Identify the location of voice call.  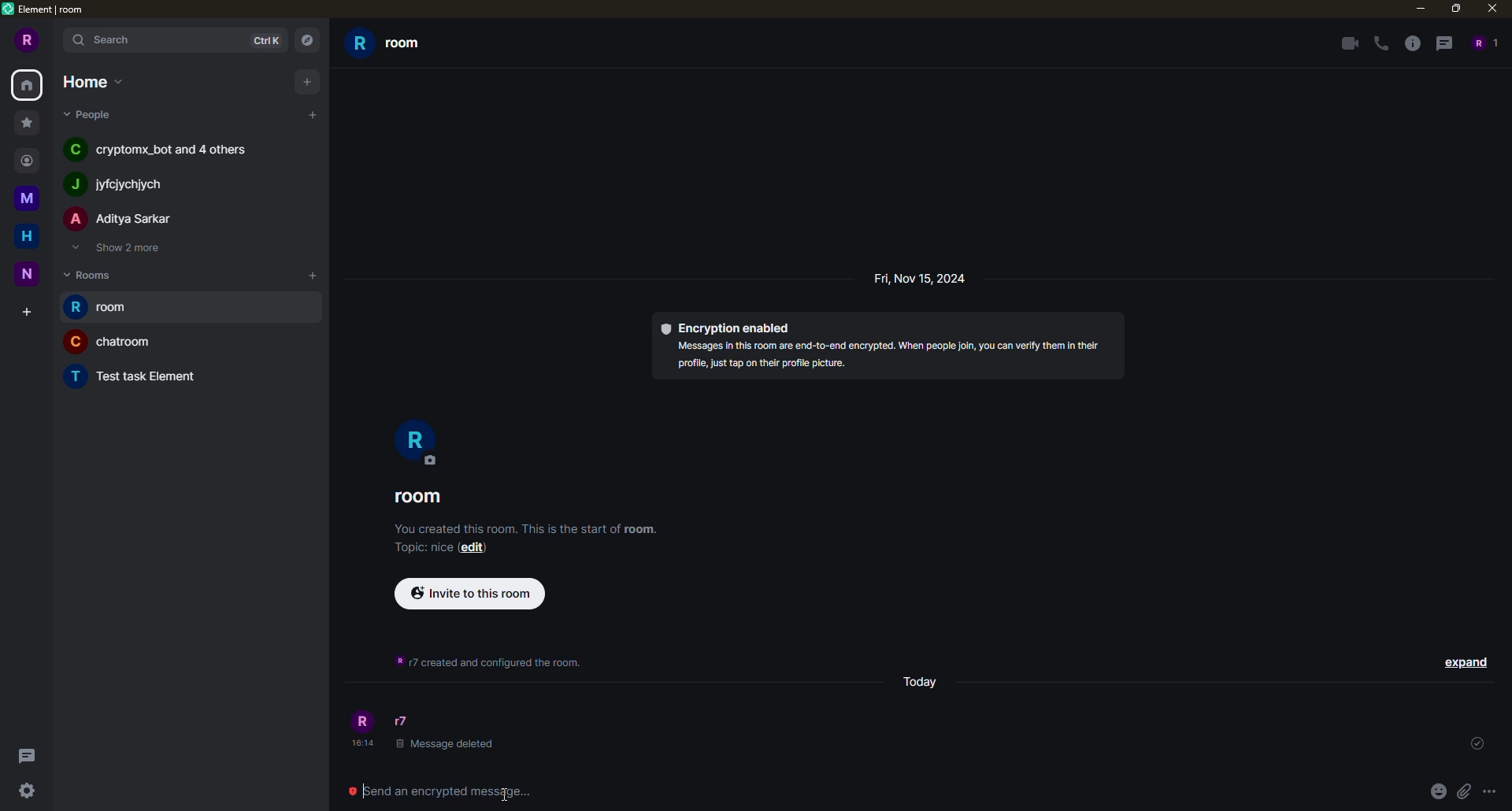
(1380, 43).